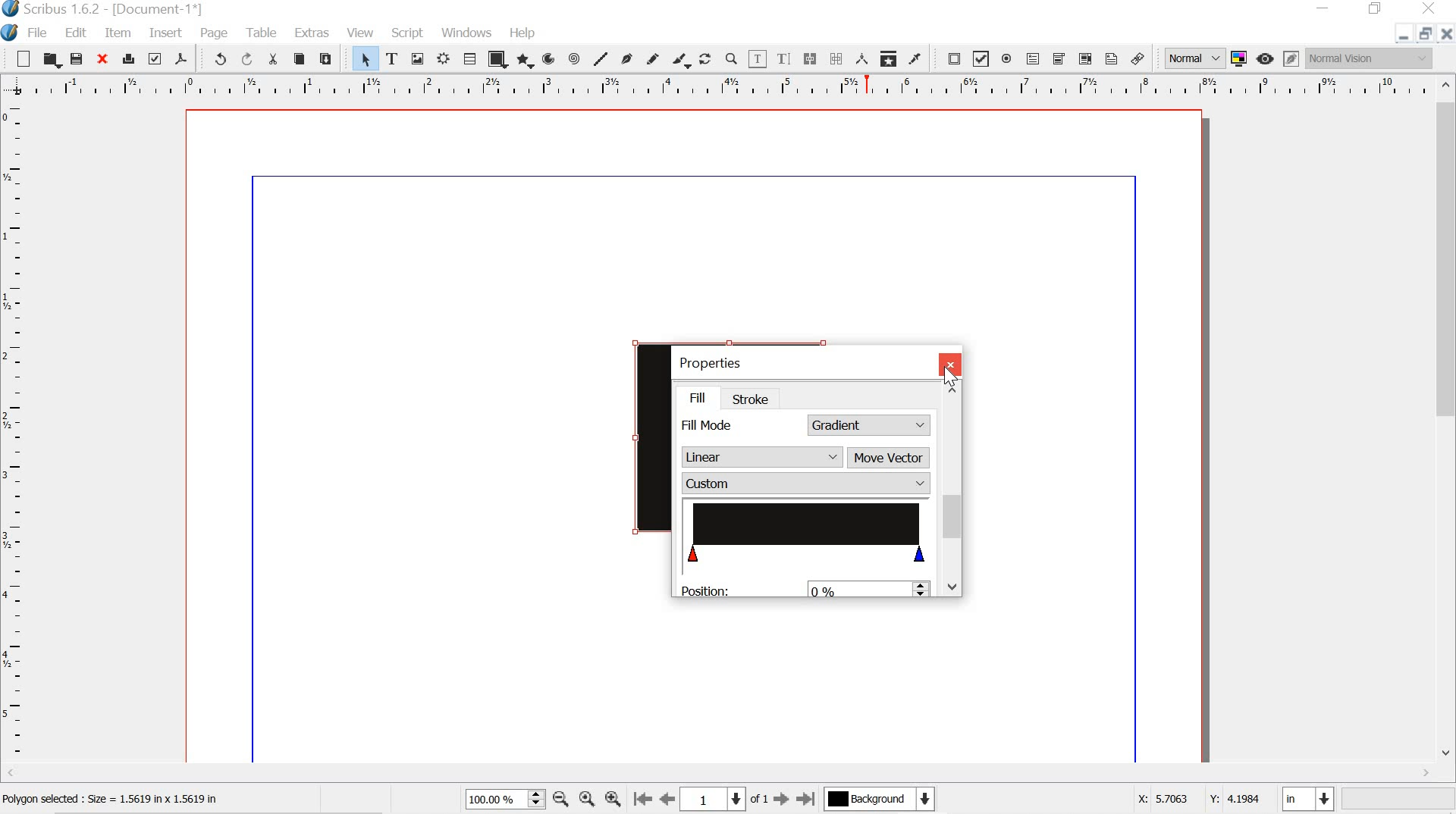 This screenshot has width=1456, height=814. Describe the element at coordinates (887, 58) in the screenshot. I see `copy item properties` at that location.